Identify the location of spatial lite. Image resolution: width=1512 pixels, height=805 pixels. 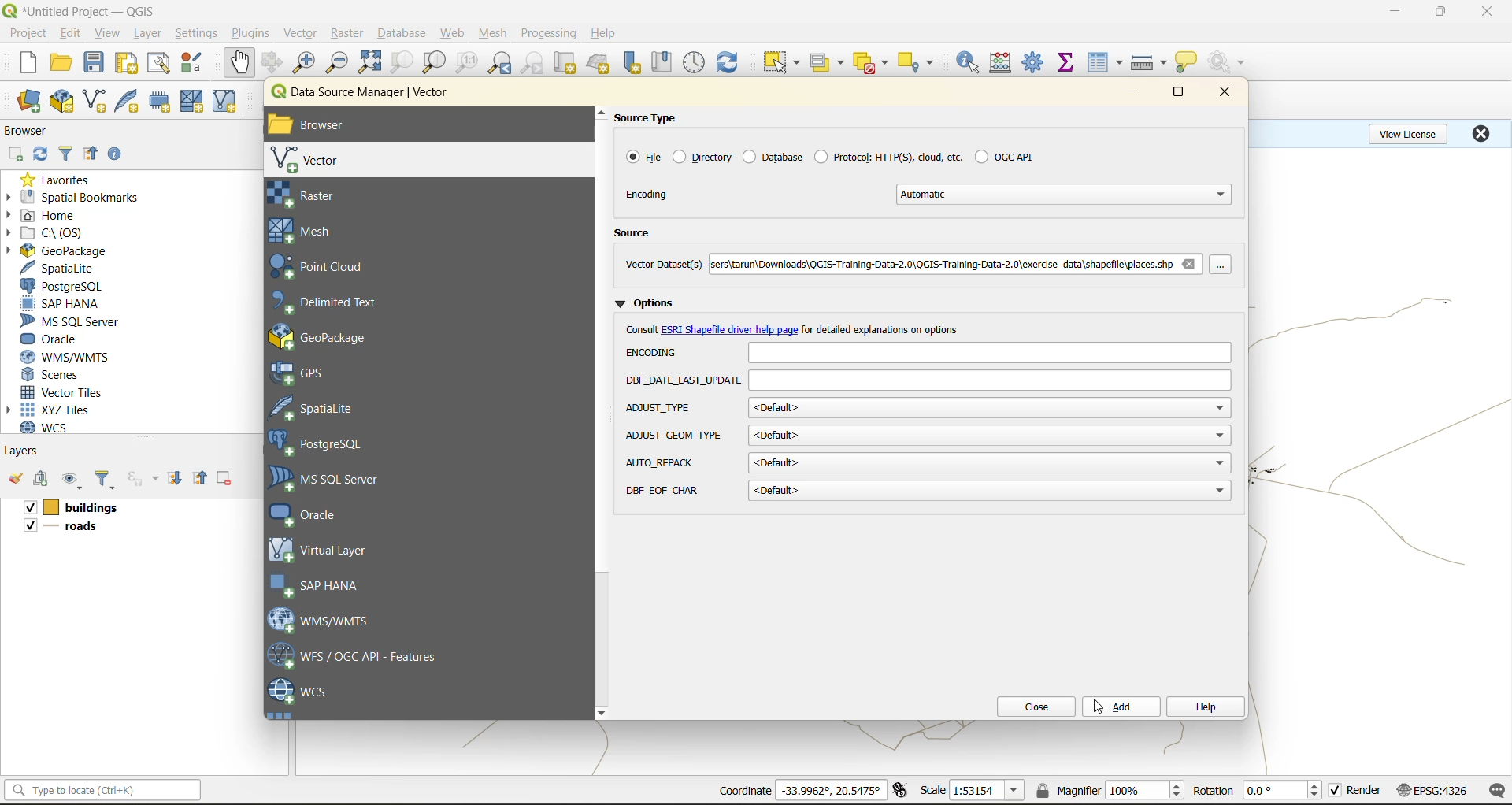
(325, 406).